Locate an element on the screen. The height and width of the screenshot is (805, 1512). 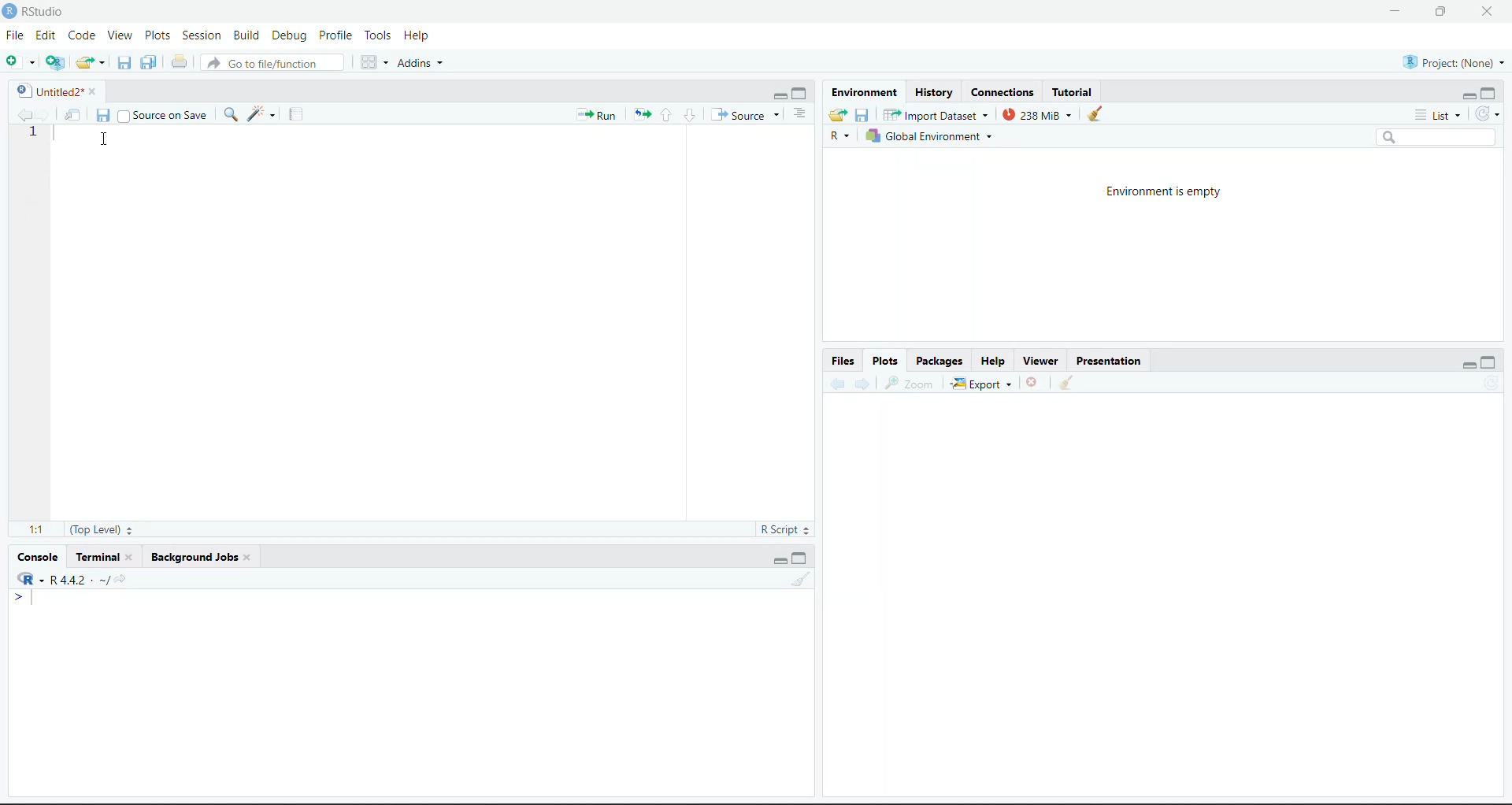
logo is located at coordinates (11, 12).